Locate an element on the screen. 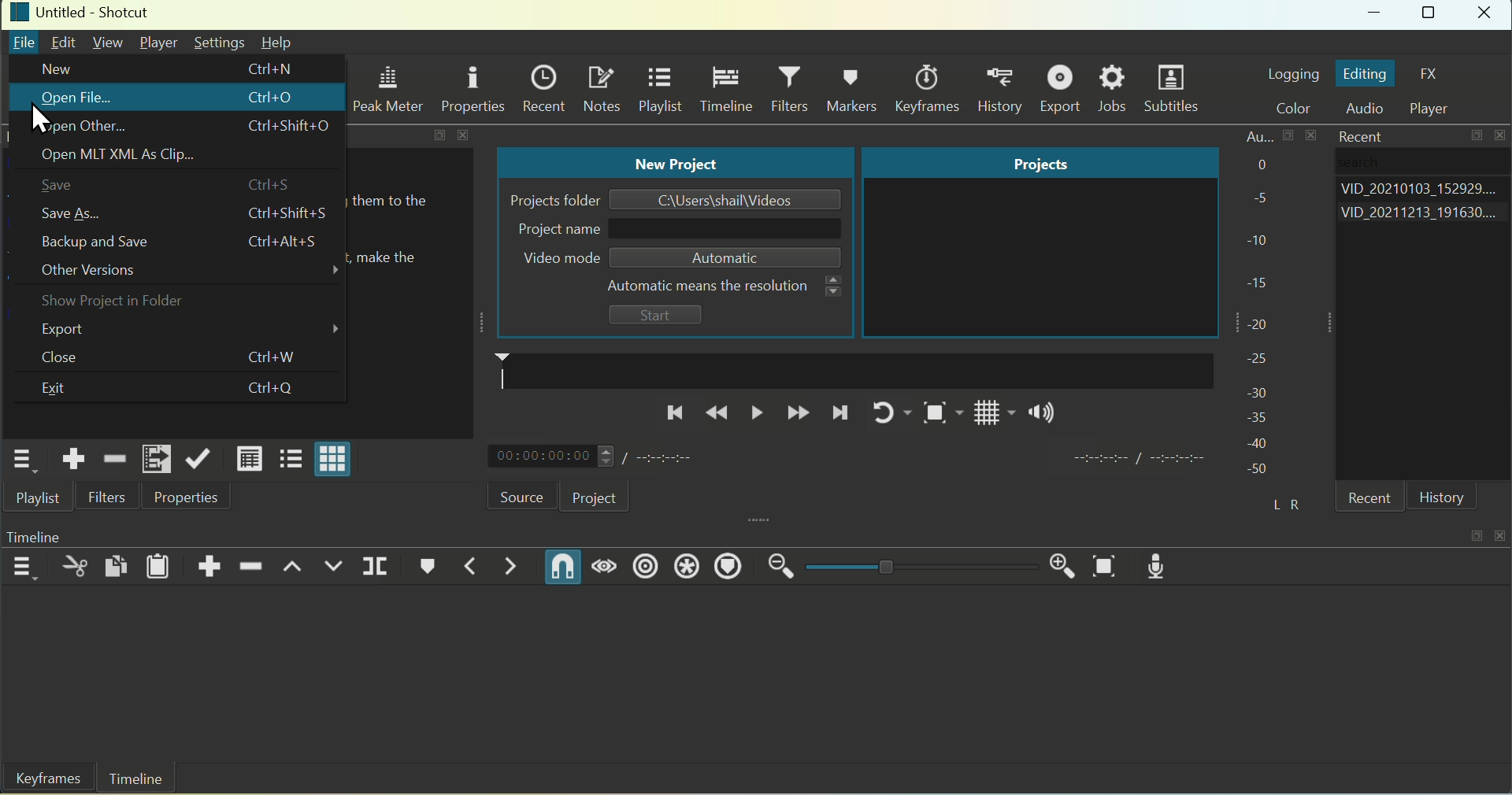  Timeline is located at coordinates (57, 534).